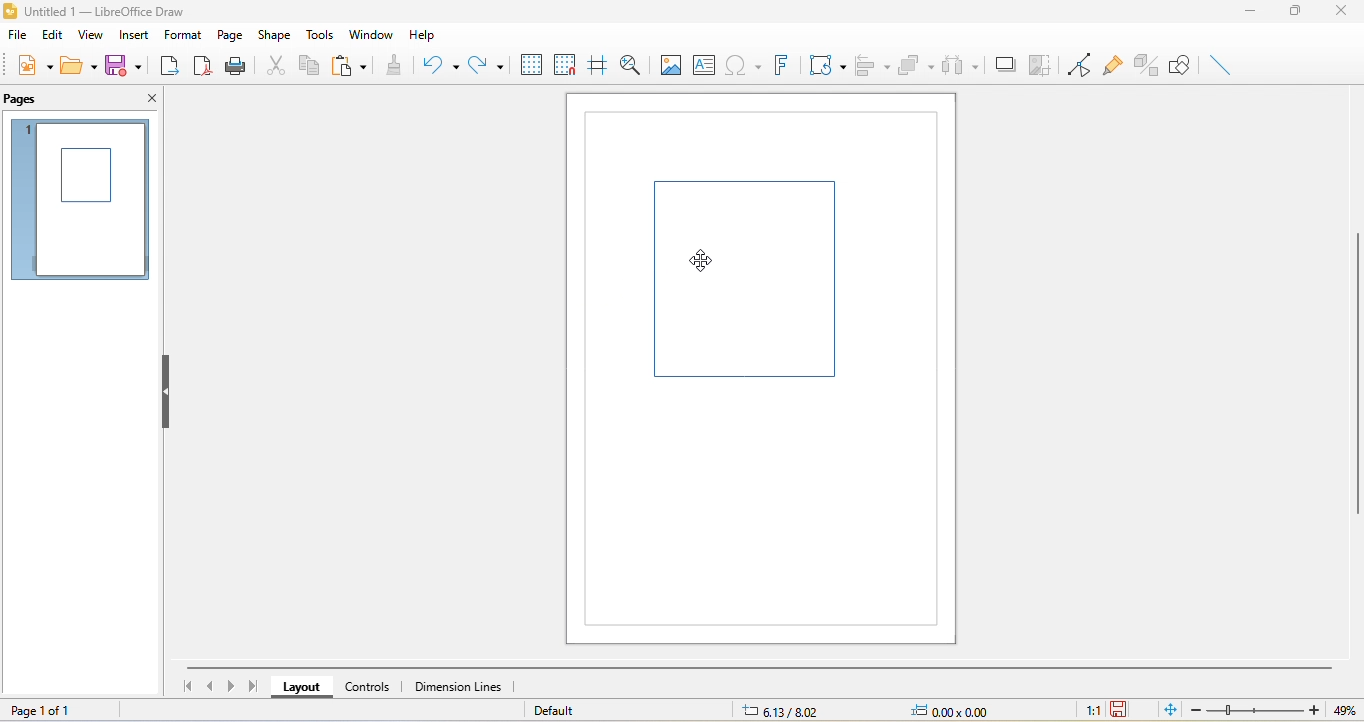 This screenshot has height=722, width=1364. I want to click on next page, so click(231, 688).